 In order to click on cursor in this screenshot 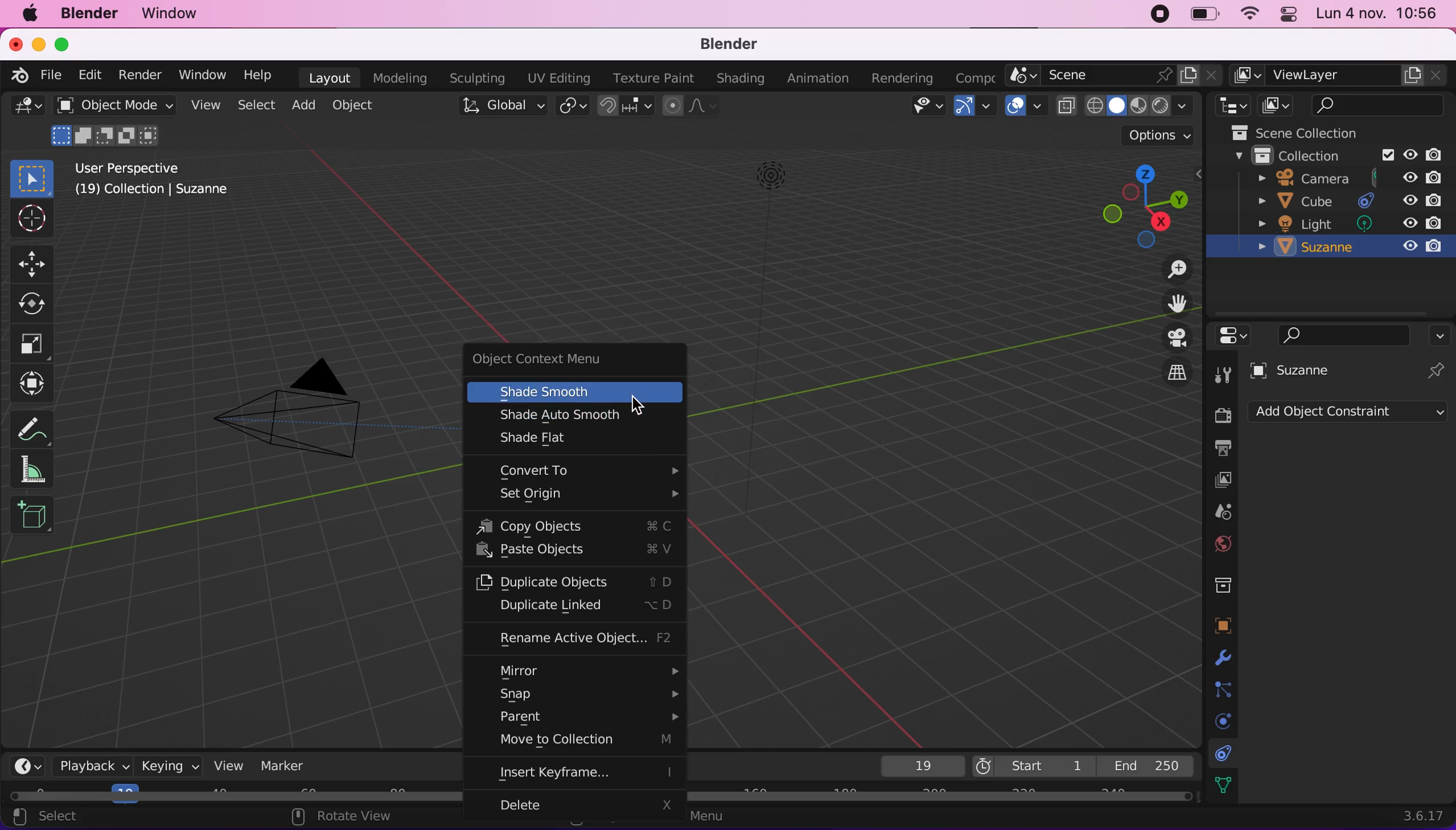, I will do `click(30, 220)`.